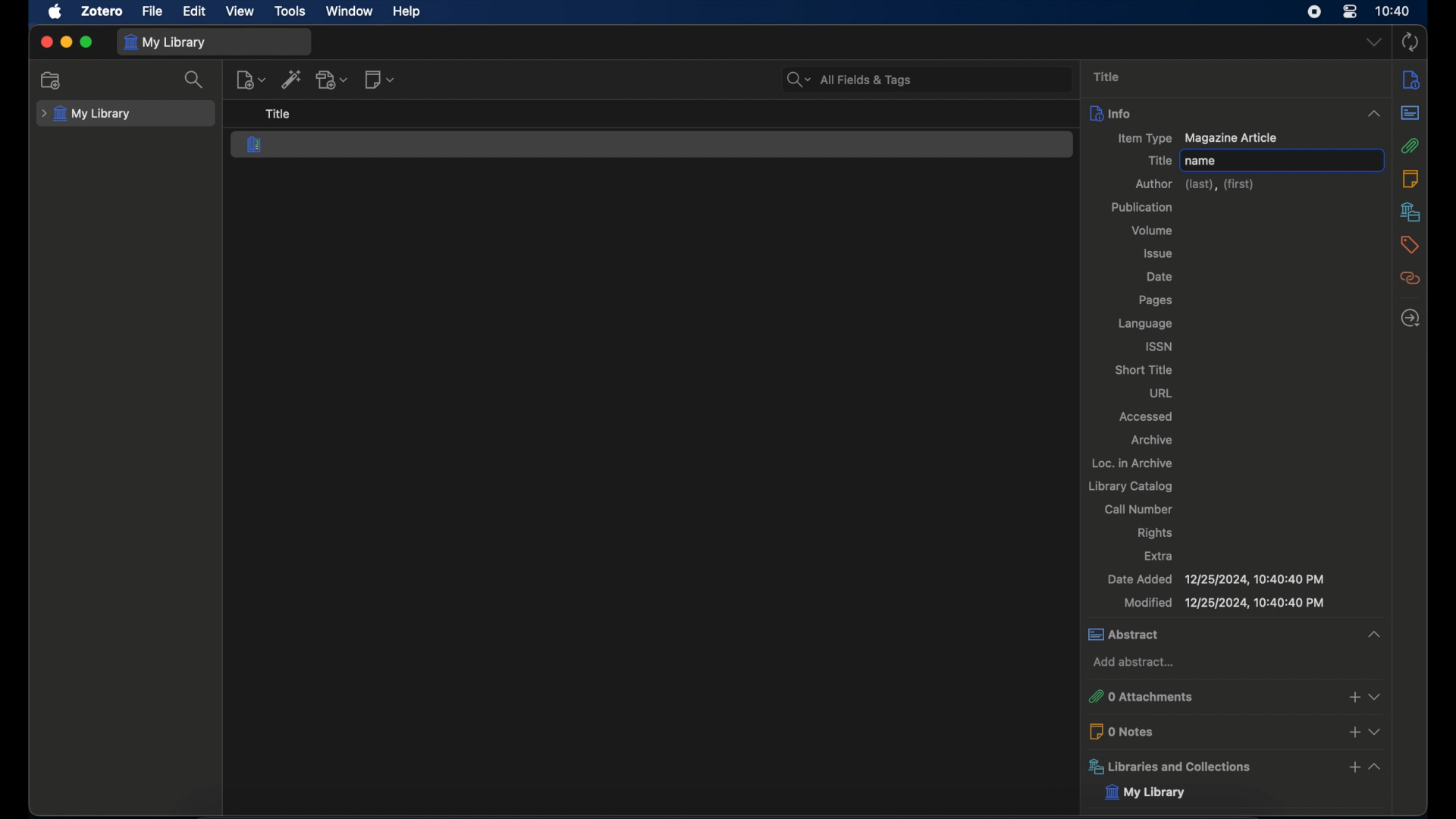 This screenshot has width=1456, height=819. I want to click on control center, so click(1350, 12).